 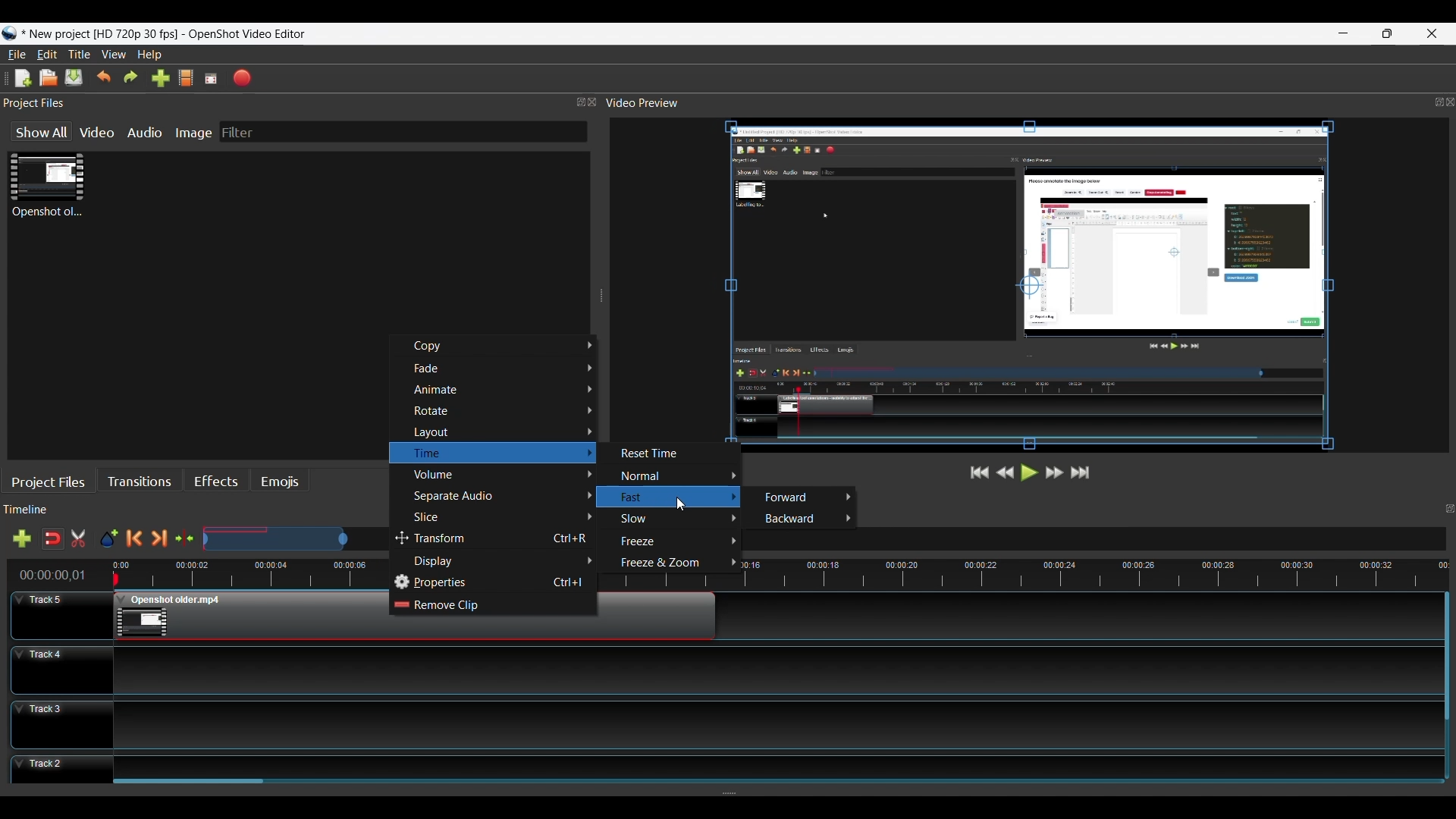 What do you see at coordinates (74, 78) in the screenshot?
I see `Save File` at bounding box center [74, 78].